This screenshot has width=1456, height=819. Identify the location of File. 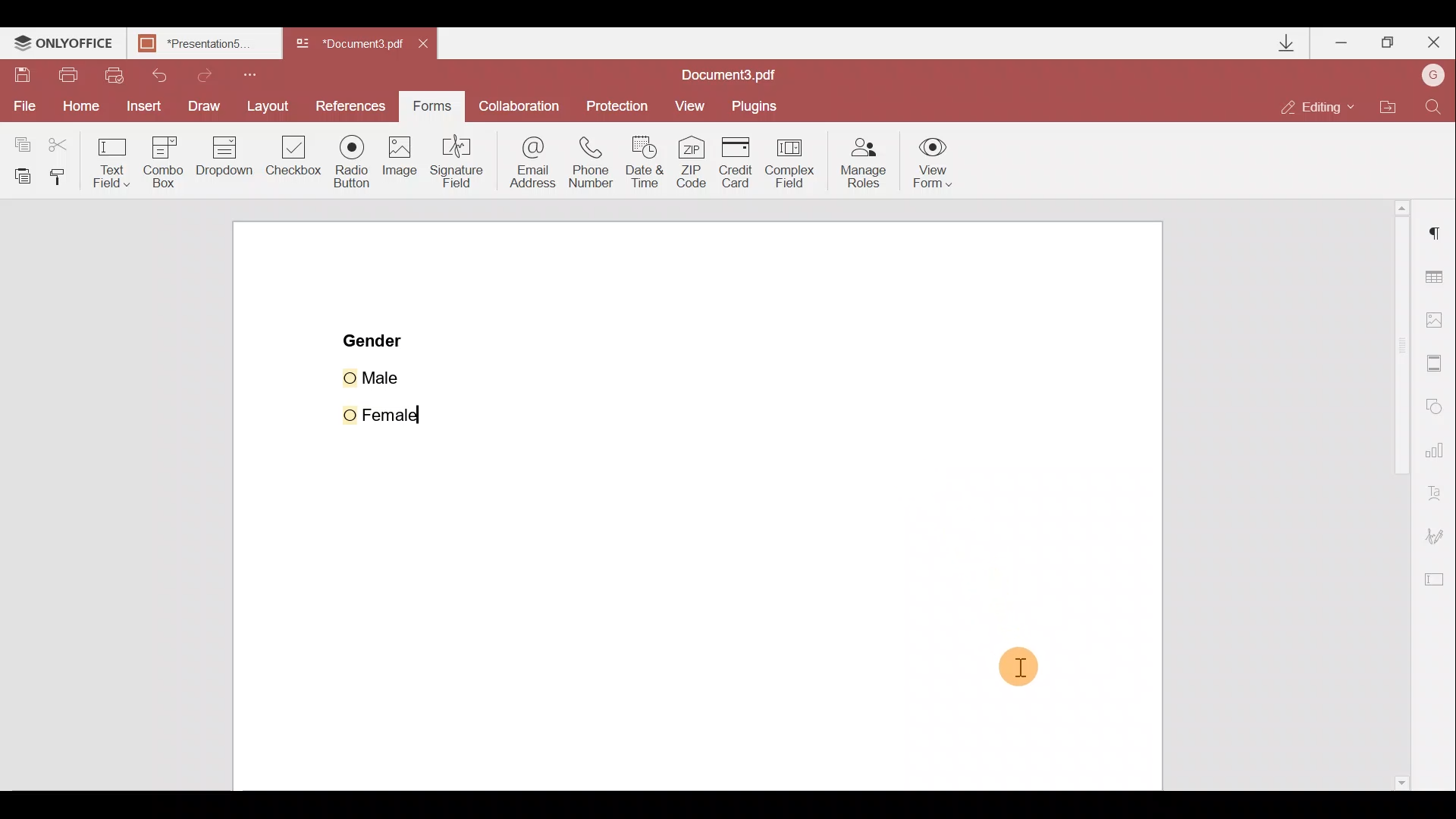
(21, 107).